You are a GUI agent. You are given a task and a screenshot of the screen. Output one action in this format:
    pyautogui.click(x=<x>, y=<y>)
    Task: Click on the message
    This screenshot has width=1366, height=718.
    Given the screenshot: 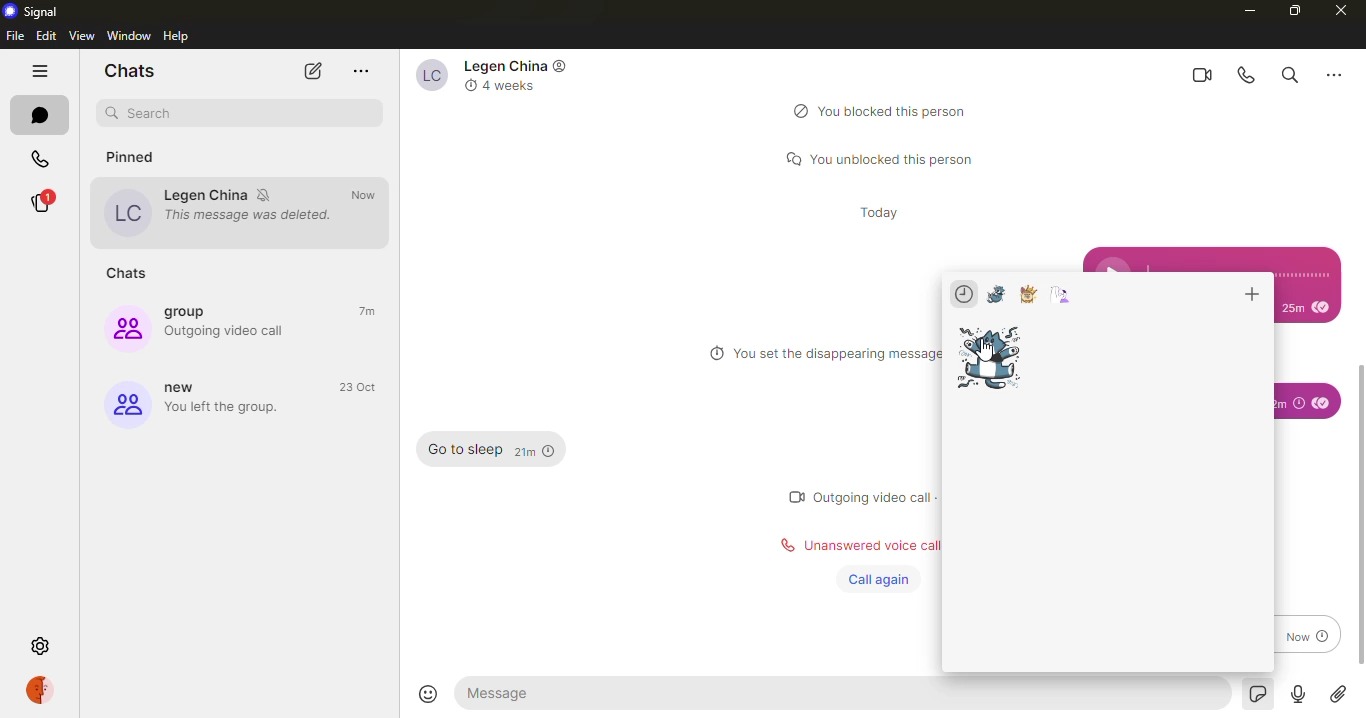 What is the action you would take?
    pyautogui.click(x=526, y=692)
    